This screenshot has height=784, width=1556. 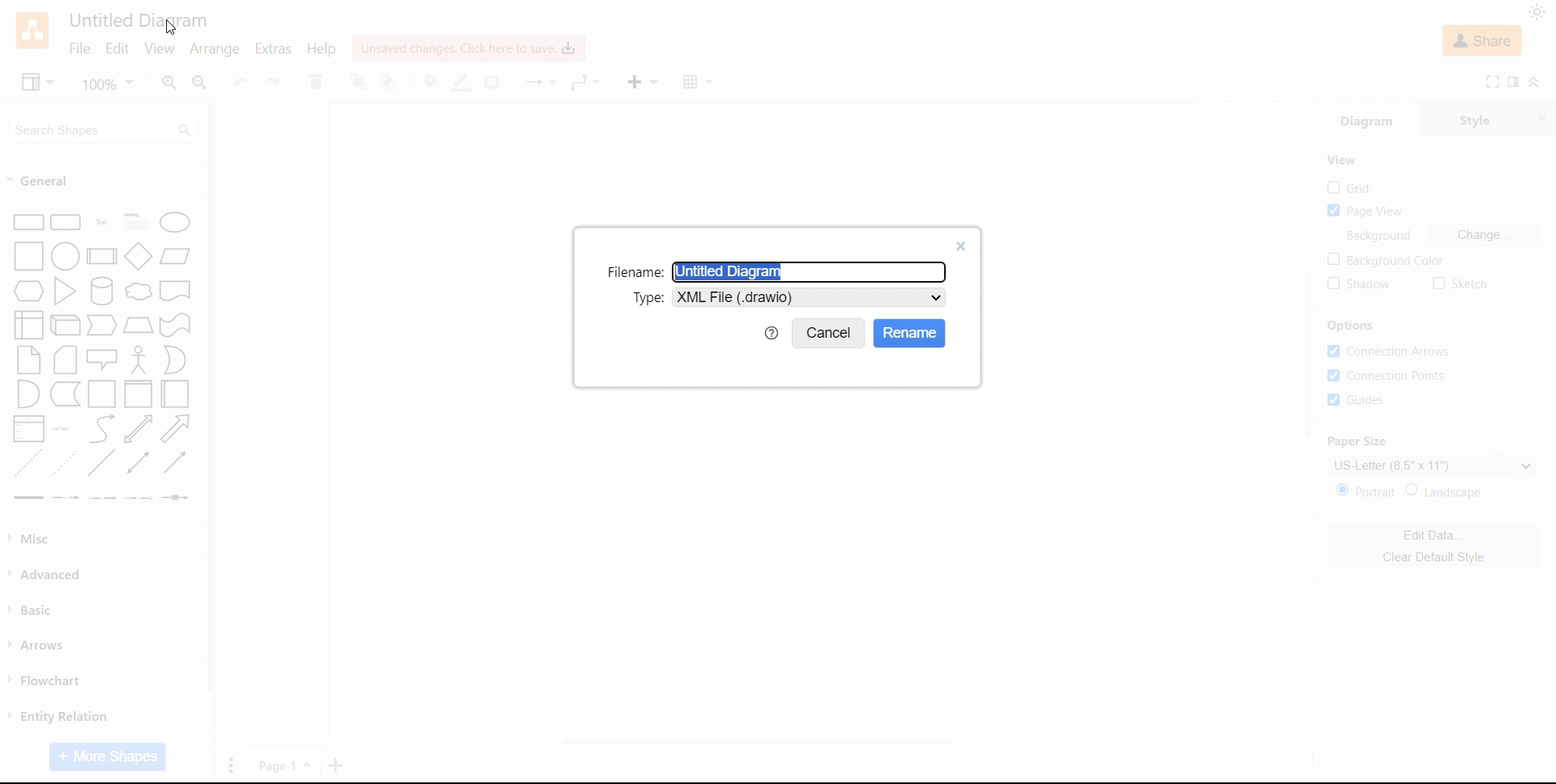 I want to click on Collapse , so click(x=1537, y=81).